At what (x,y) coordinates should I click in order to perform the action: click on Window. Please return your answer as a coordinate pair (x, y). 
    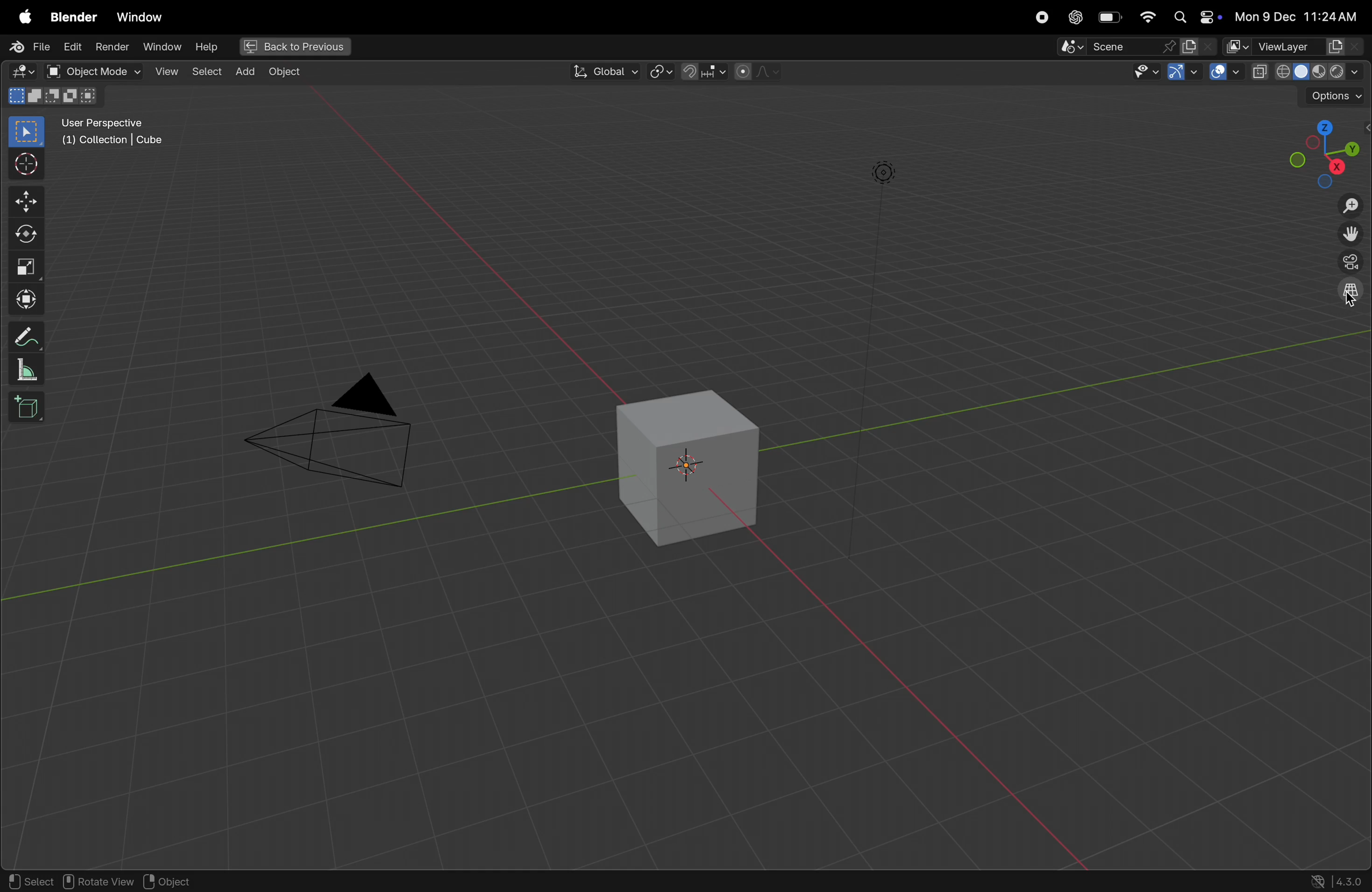
    Looking at the image, I should click on (146, 14).